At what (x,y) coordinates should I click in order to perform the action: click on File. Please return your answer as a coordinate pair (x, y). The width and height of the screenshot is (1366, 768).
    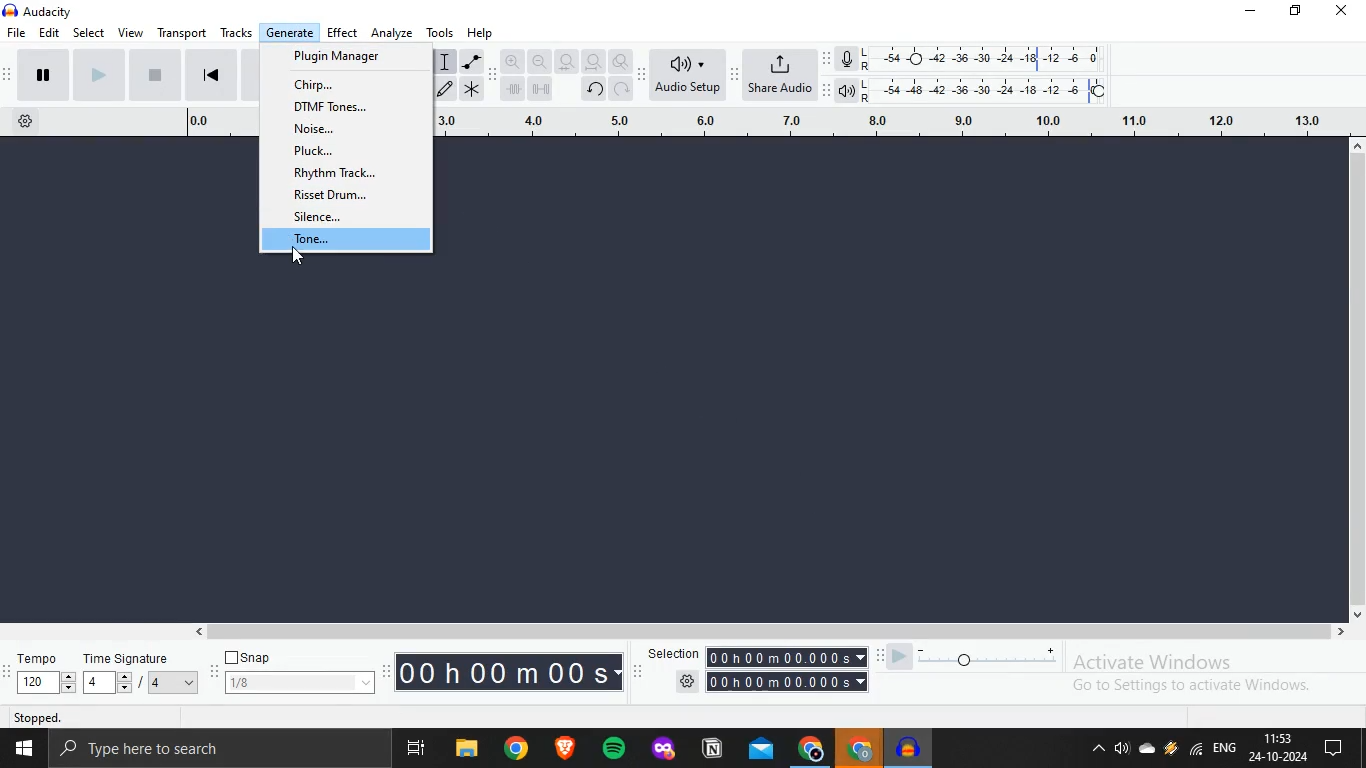
    Looking at the image, I should click on (466, 748).